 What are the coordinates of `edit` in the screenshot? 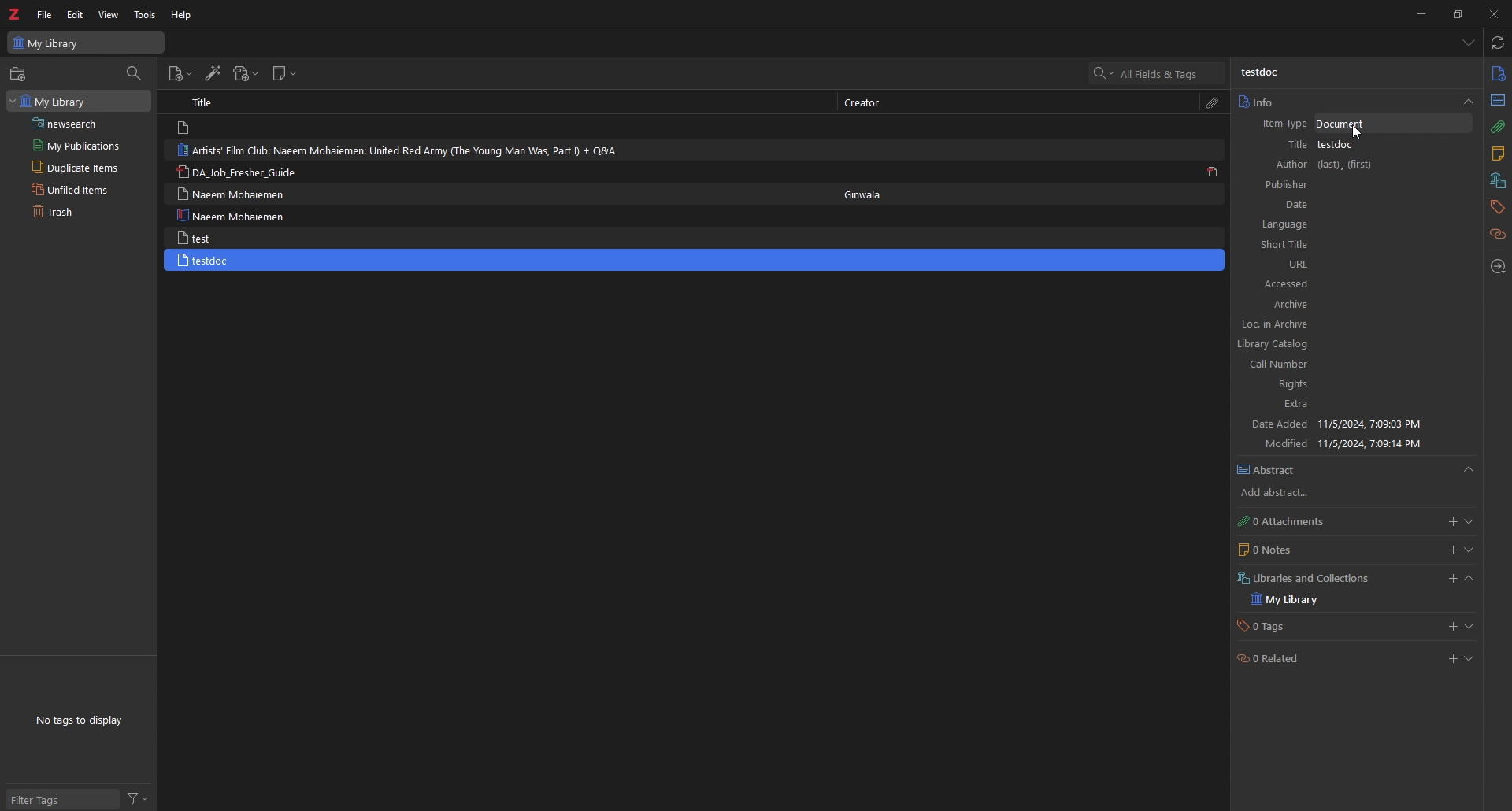 It's located at (75, 14).